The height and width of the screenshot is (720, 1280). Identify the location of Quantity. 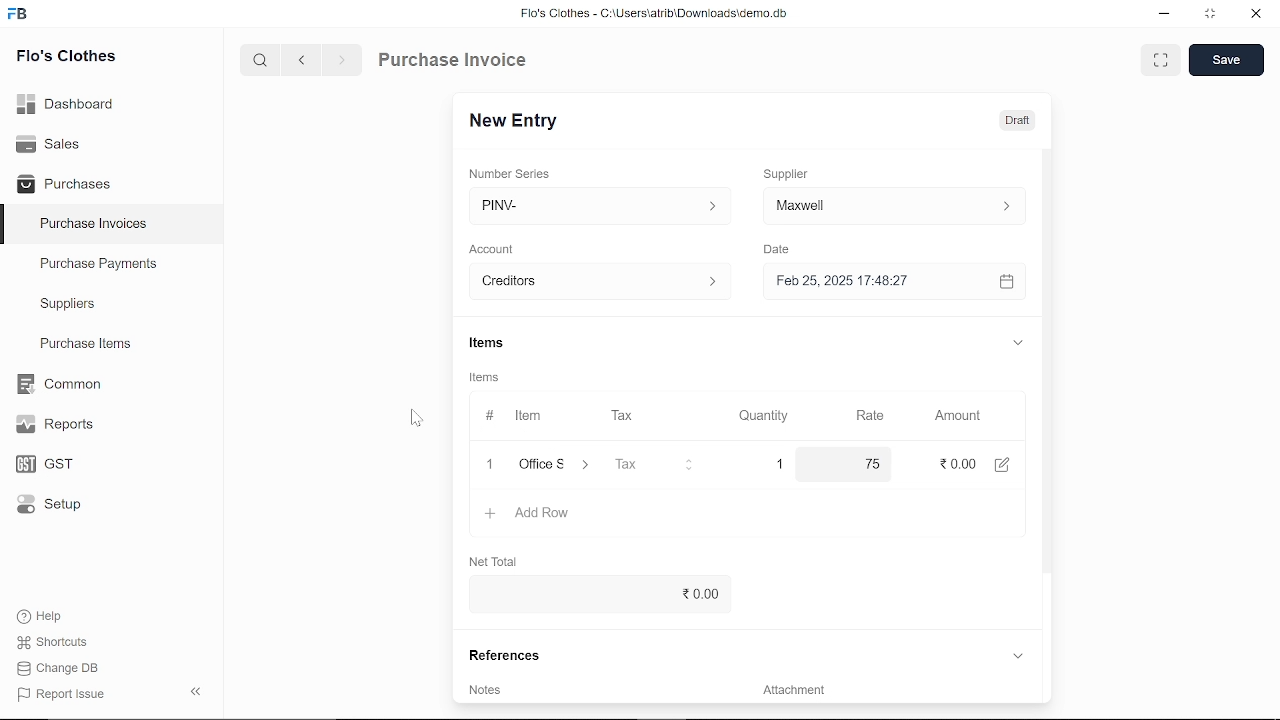
(766, 415).